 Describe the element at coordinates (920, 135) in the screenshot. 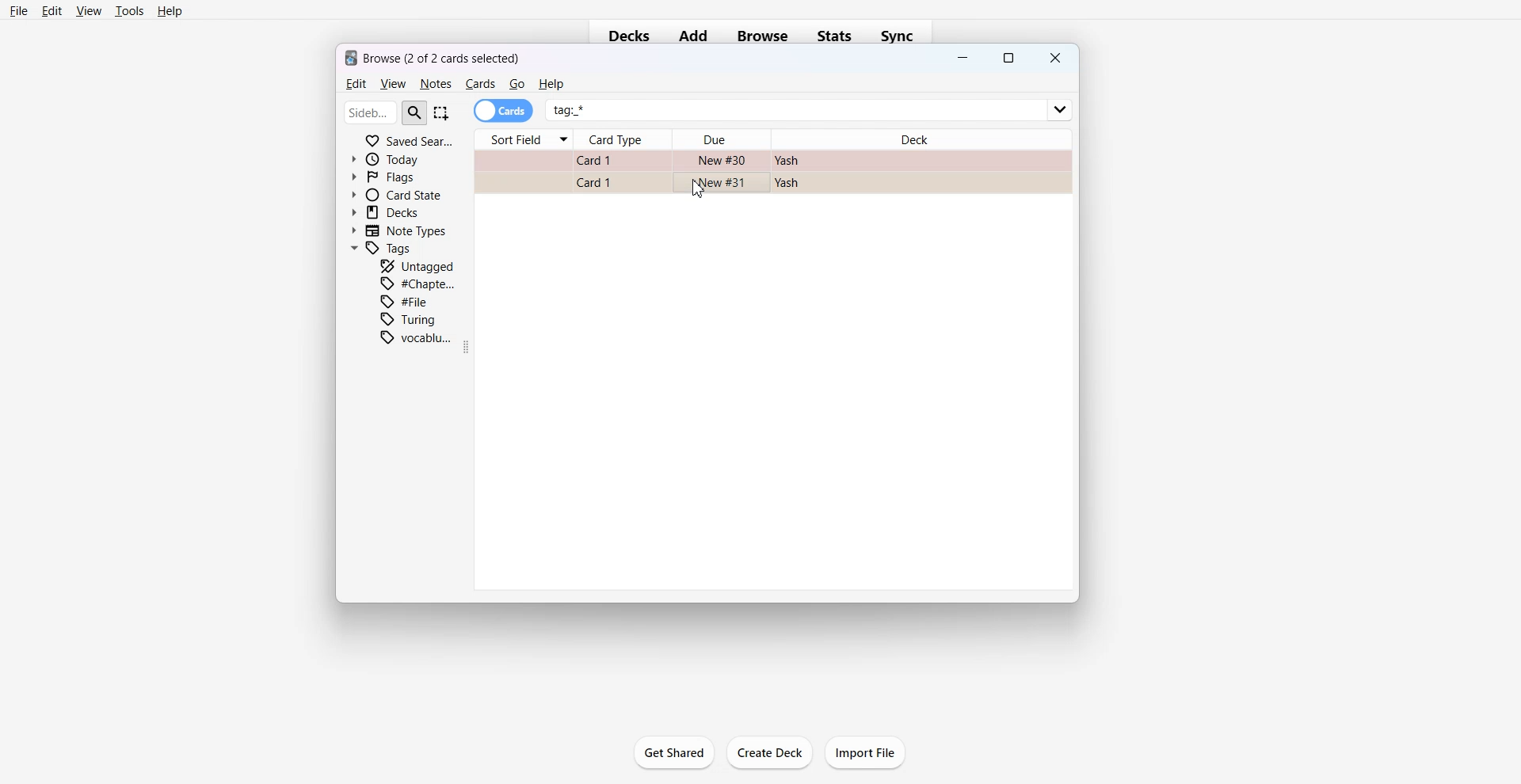

I see `Deck` at that location.